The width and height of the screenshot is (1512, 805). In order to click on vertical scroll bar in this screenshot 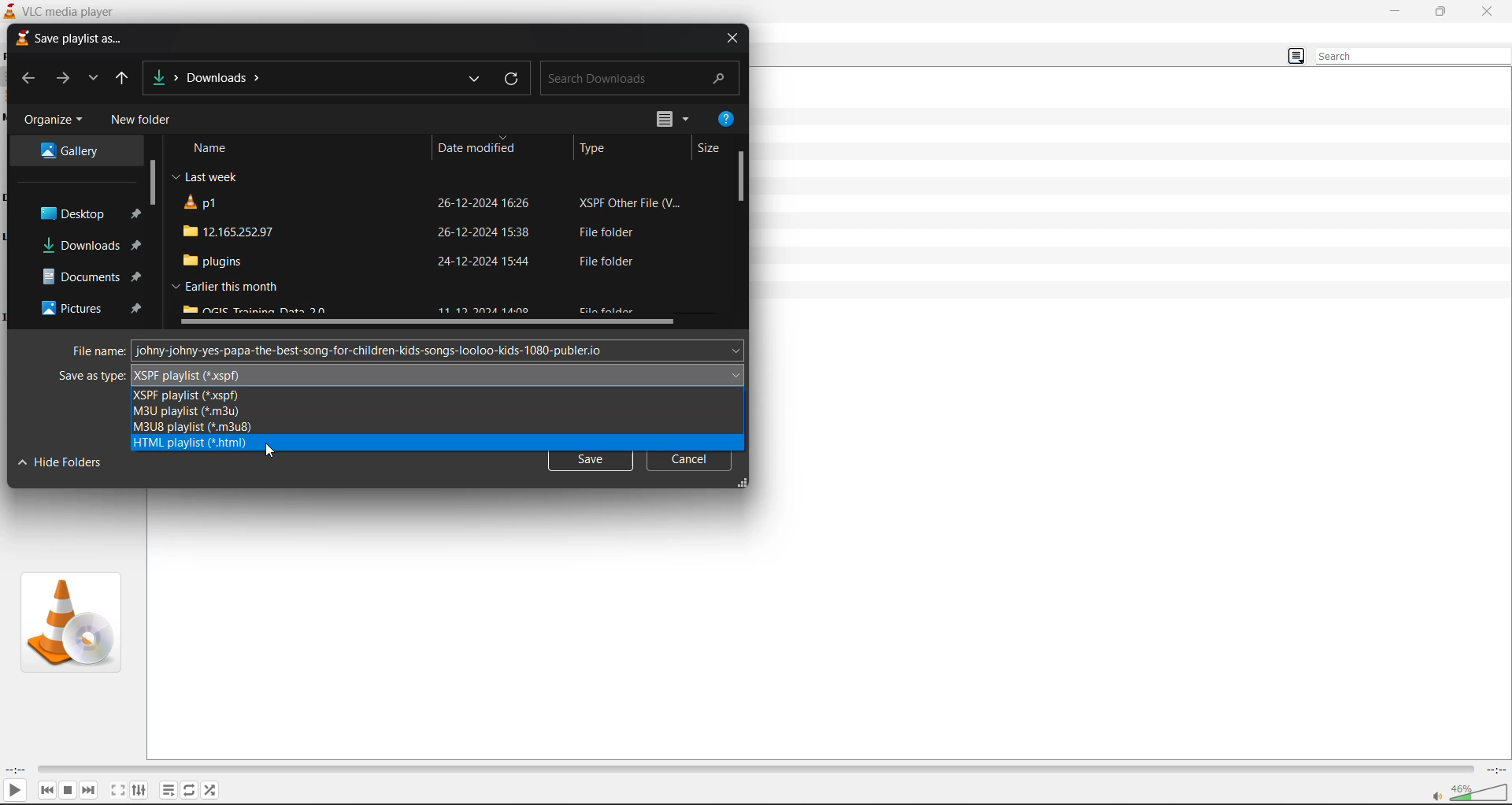, I will do `click(152, 183)`.